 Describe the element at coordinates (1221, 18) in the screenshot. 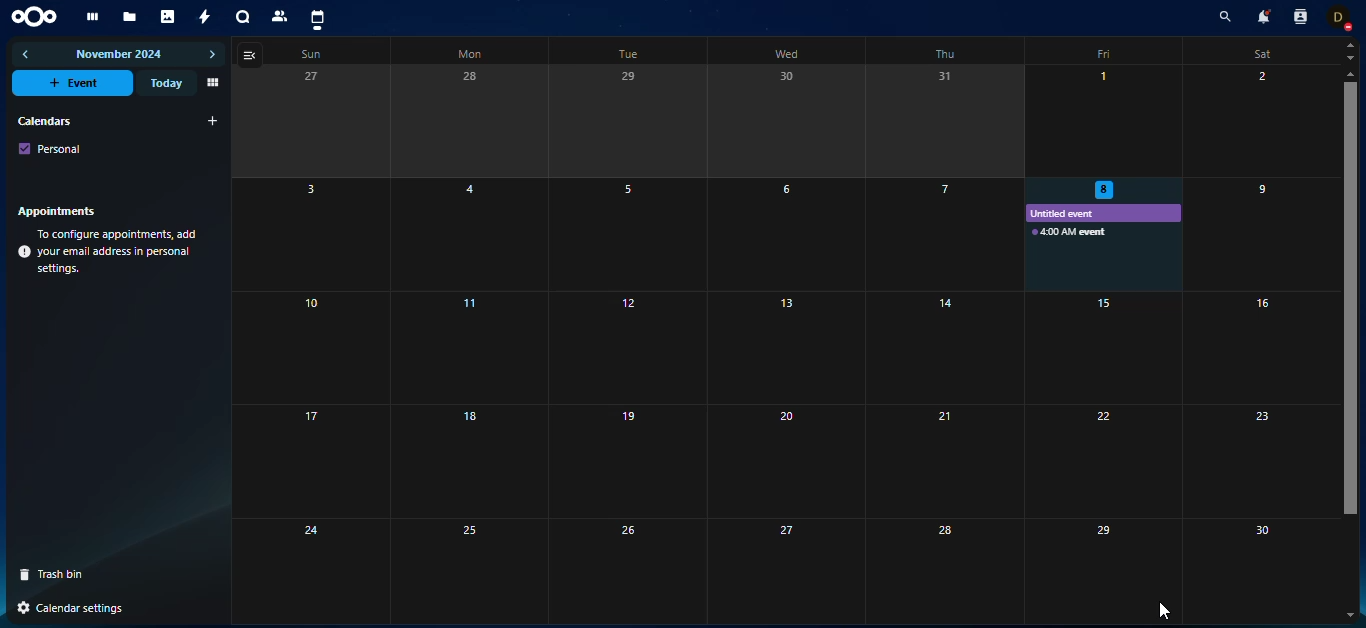

I see `search` at that location.